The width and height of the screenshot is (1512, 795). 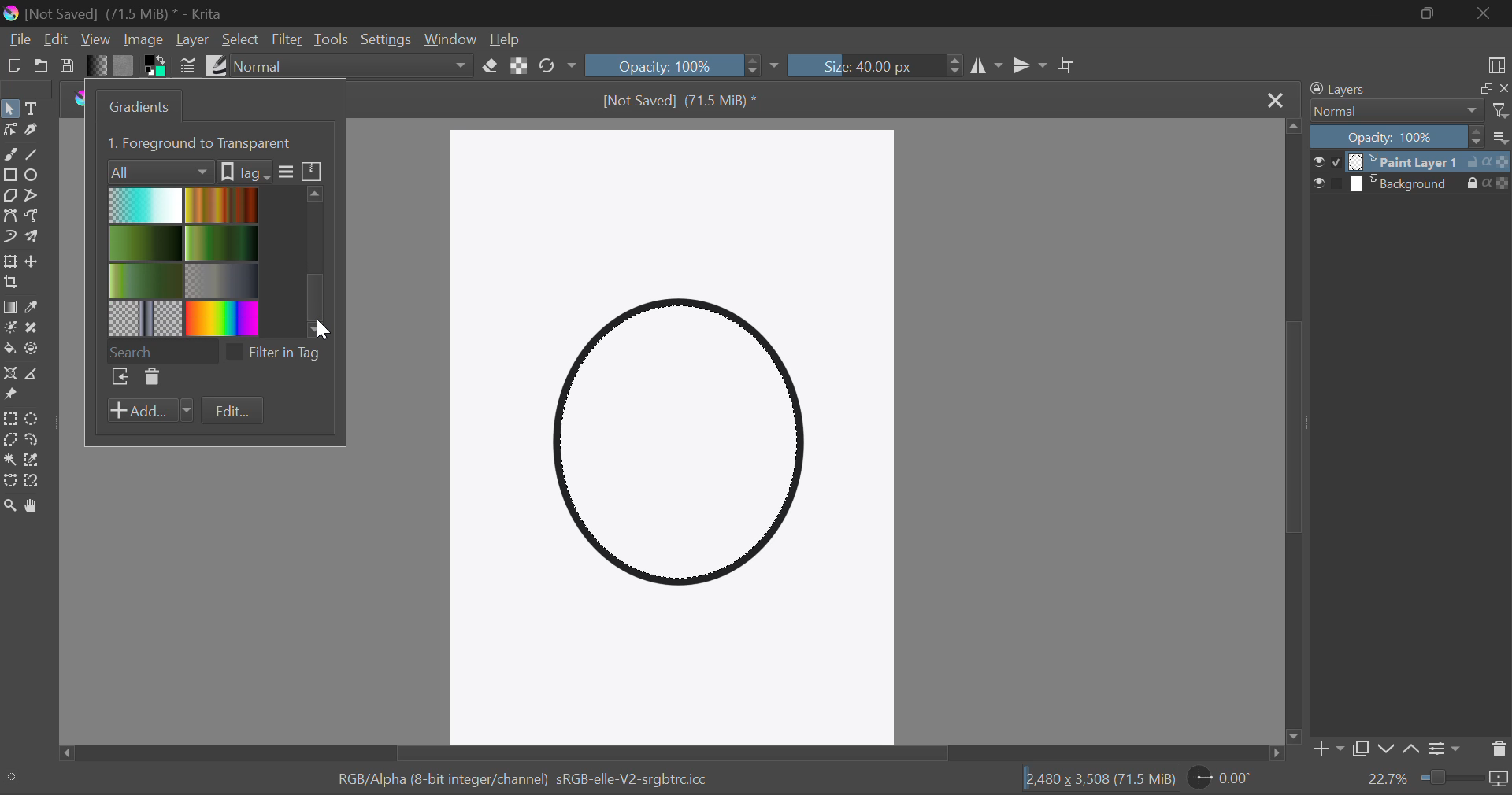 I want to click on Smart Patch Tool, so click(x=35, y=329).